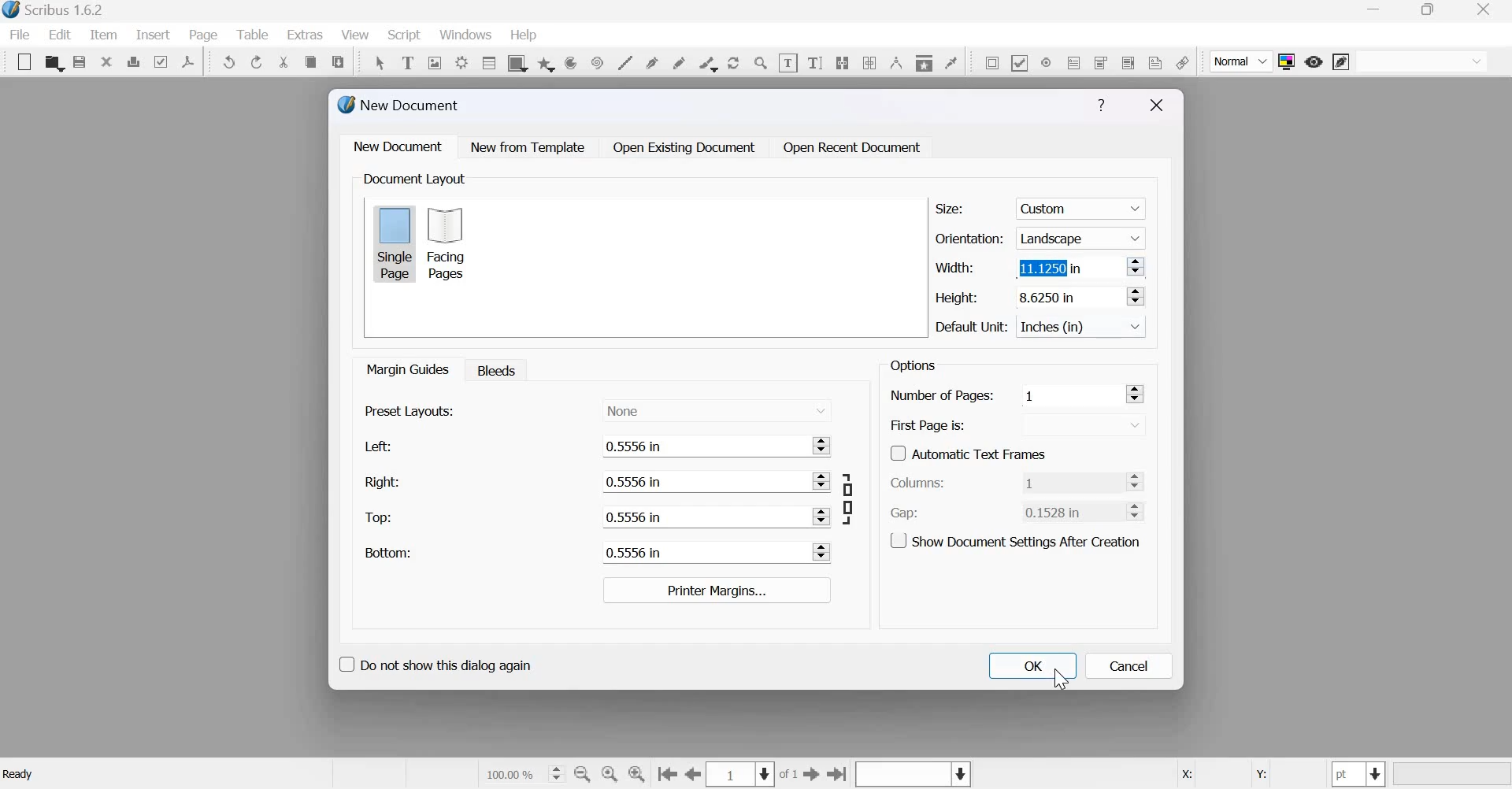 The height and width of the screenshot is (789, 1512). I want to click on 0.5556 in, so click(703, 551).